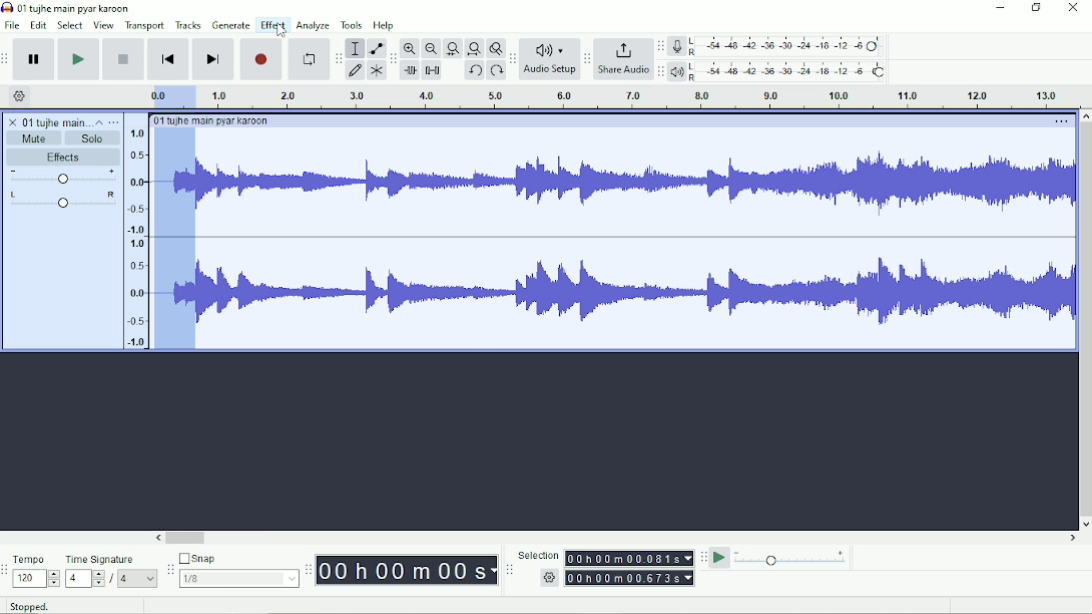  Describe the element at coordinates (375, 49) in the screenshot. I see `Envelope tool` at that location.